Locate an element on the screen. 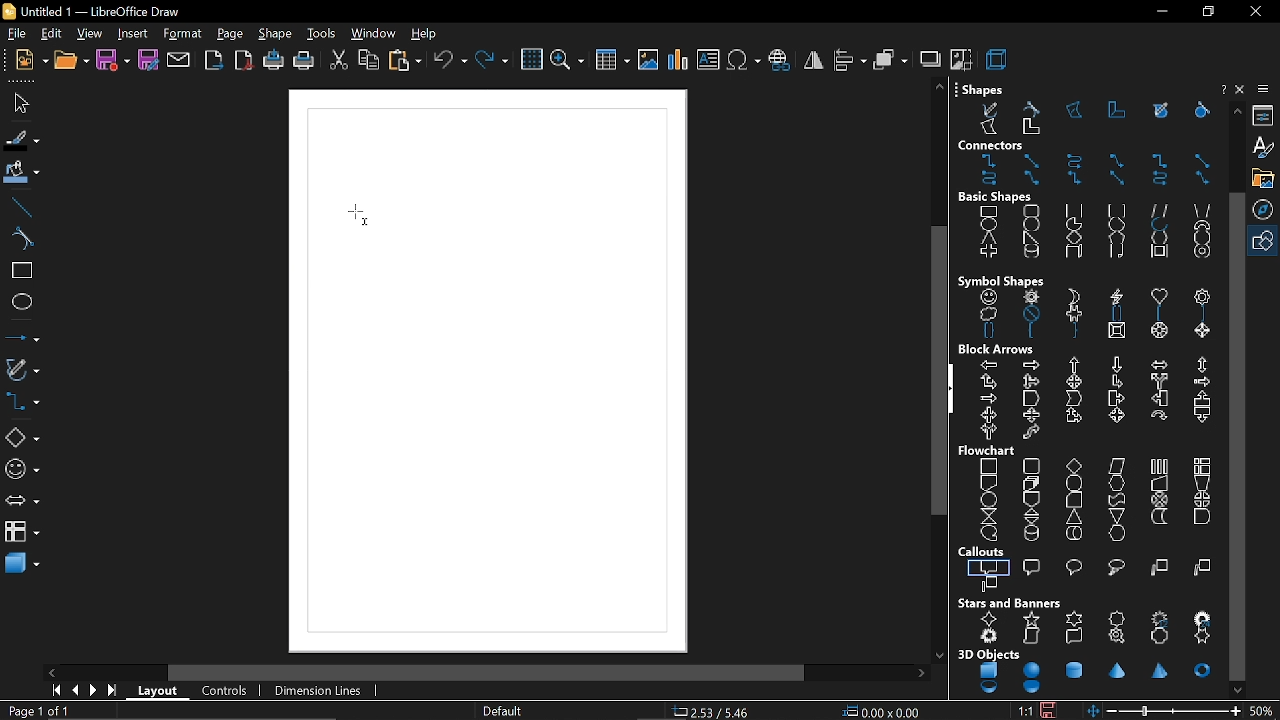 The image size is (1280, 720). 3d objects is located at coordinates (988, 654).